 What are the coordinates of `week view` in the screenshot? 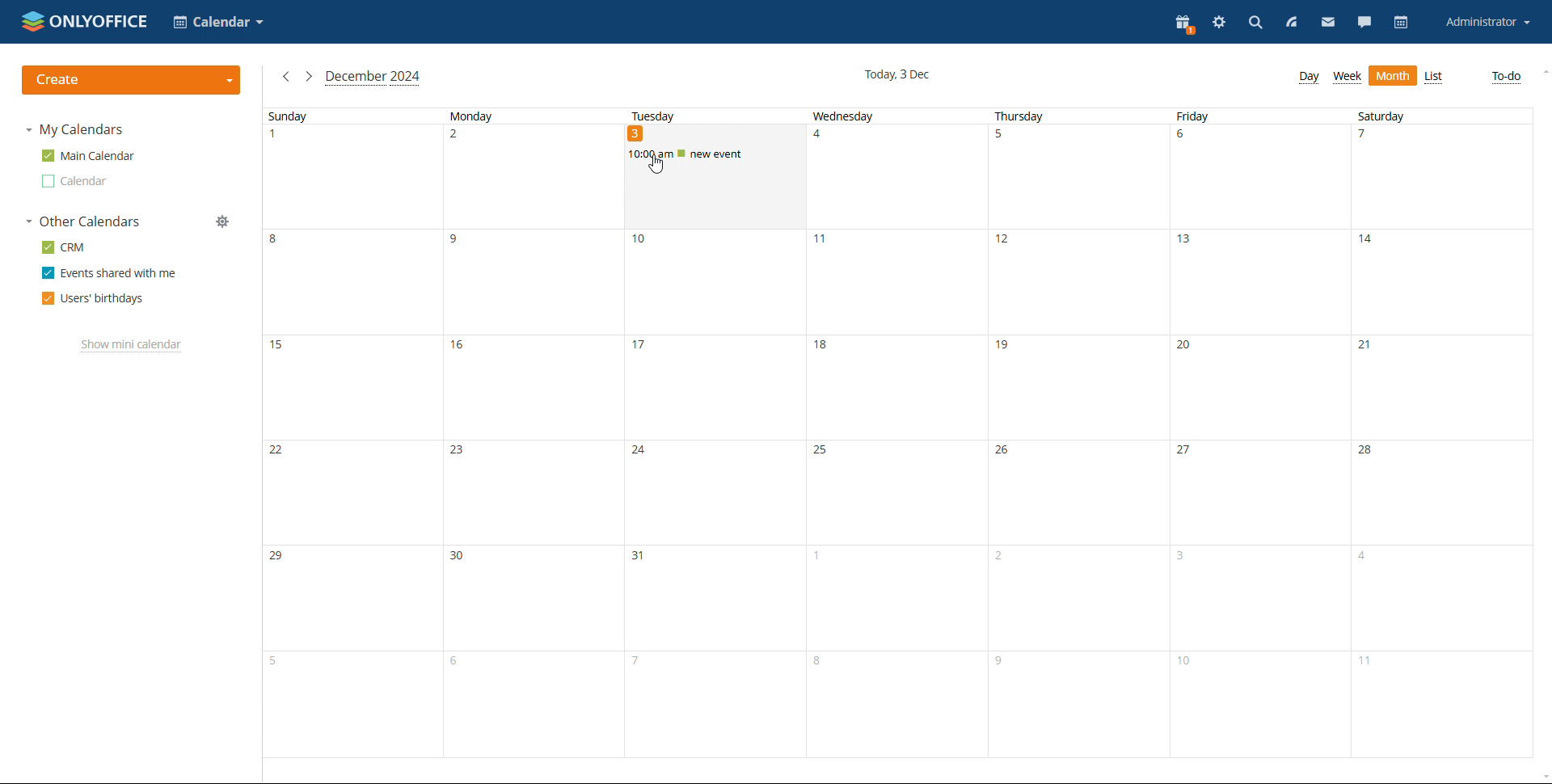 It's located at (1347, 78).